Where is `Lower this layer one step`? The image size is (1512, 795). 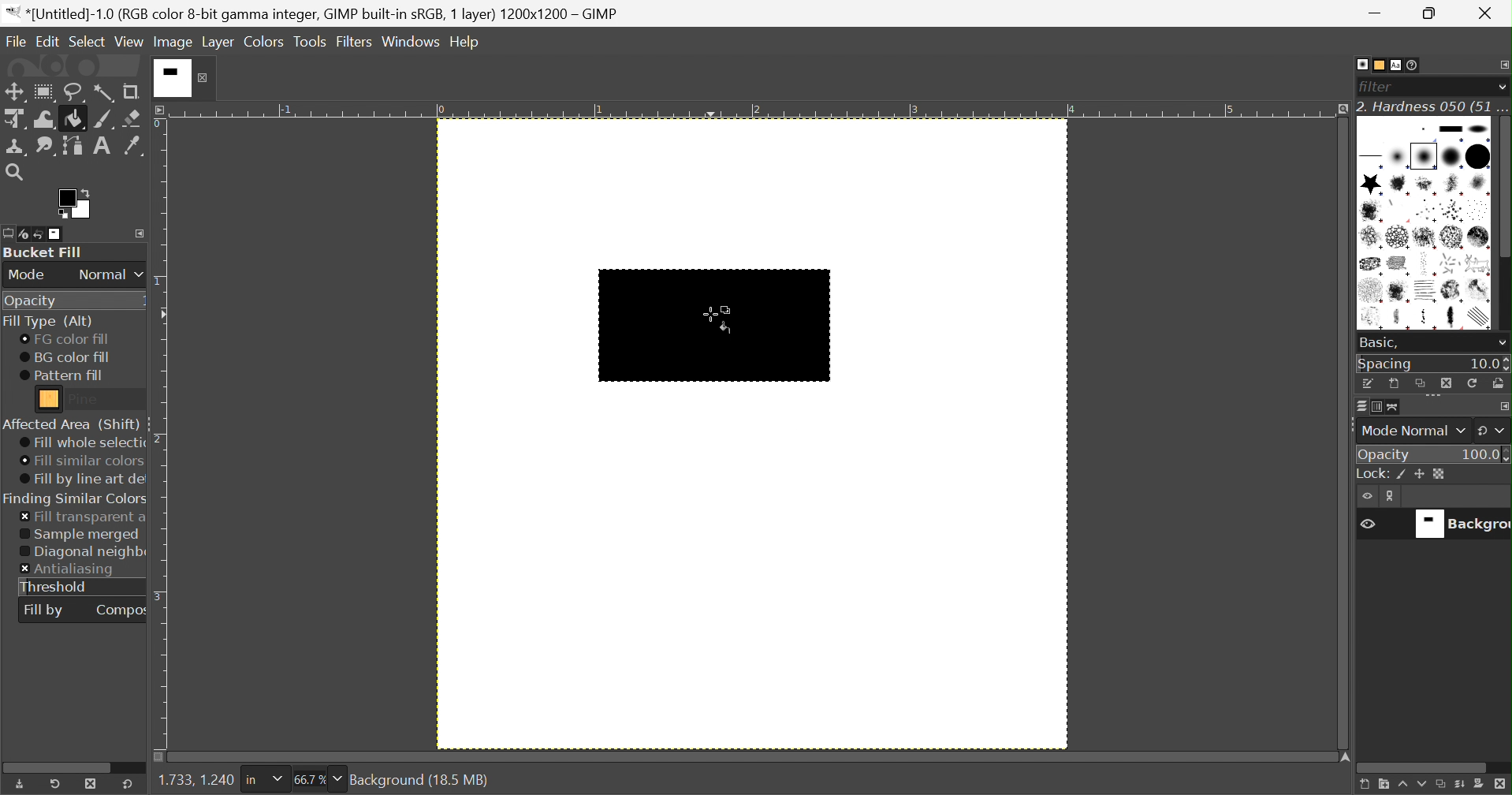 Lower this layer one step is located at coordinates (1421, 786).